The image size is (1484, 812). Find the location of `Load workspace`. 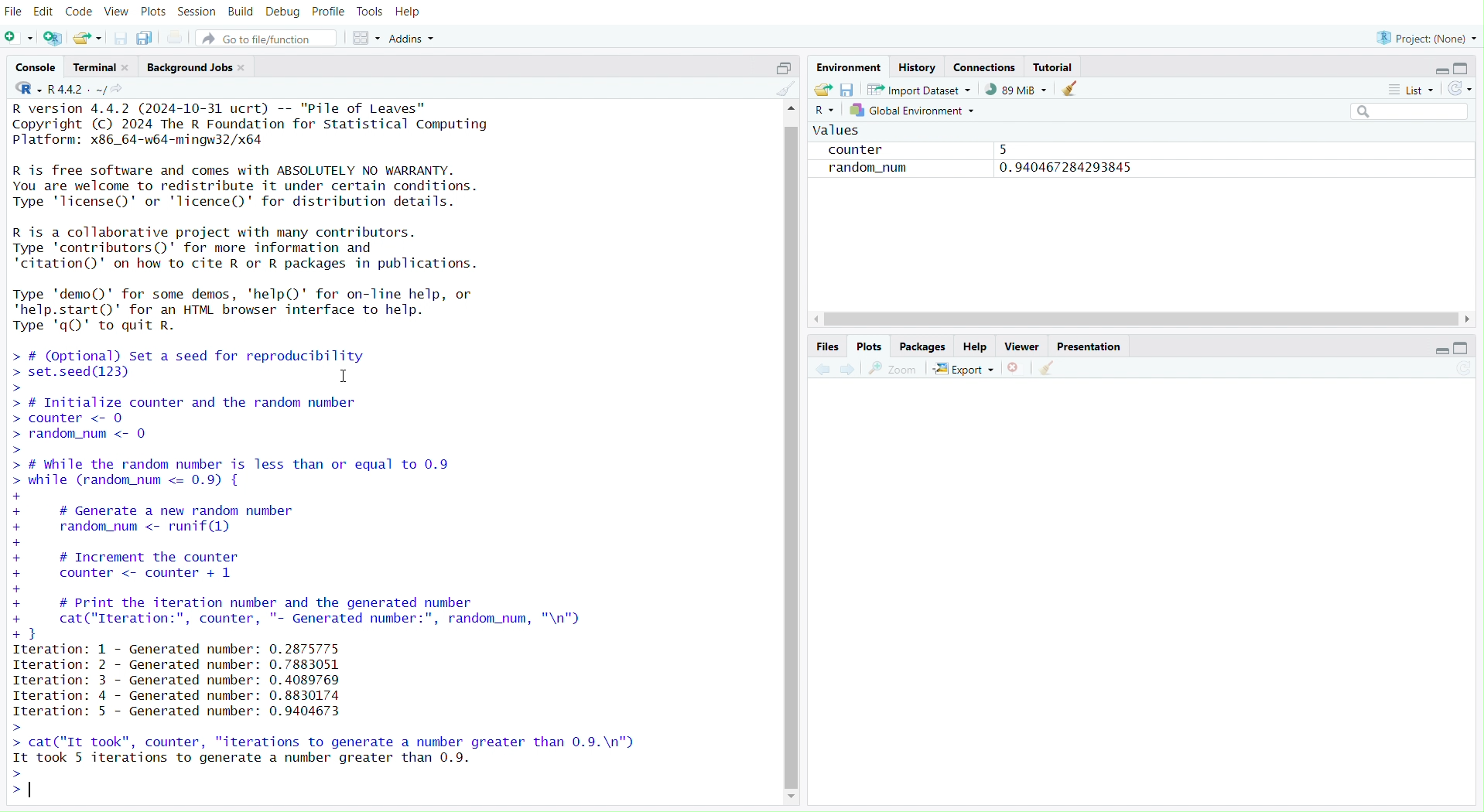

Load workspace is located at coordinates (824, 90).